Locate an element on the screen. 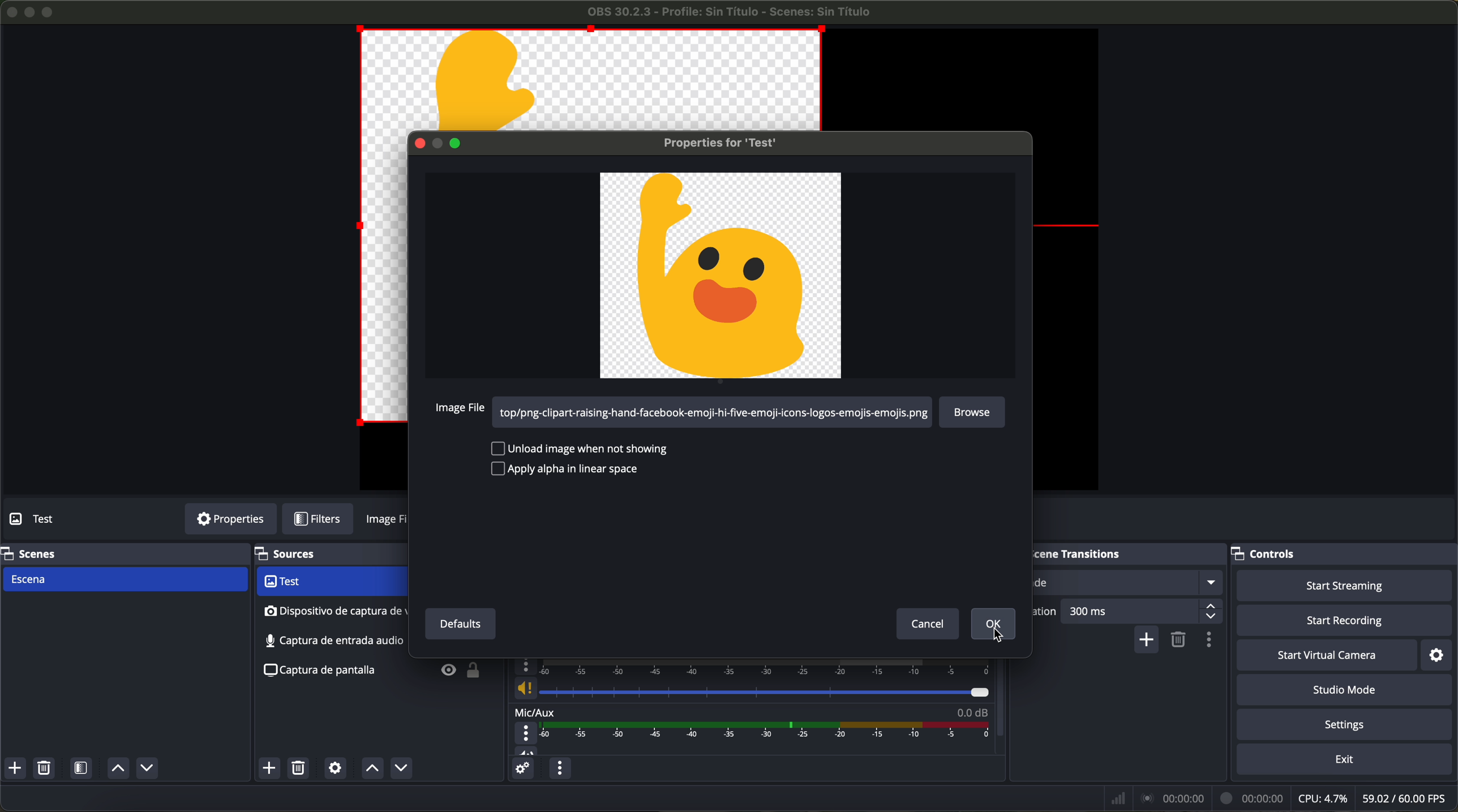 This screenshot has width=1458, height=812. image URL is located at coordinates (717, 414).